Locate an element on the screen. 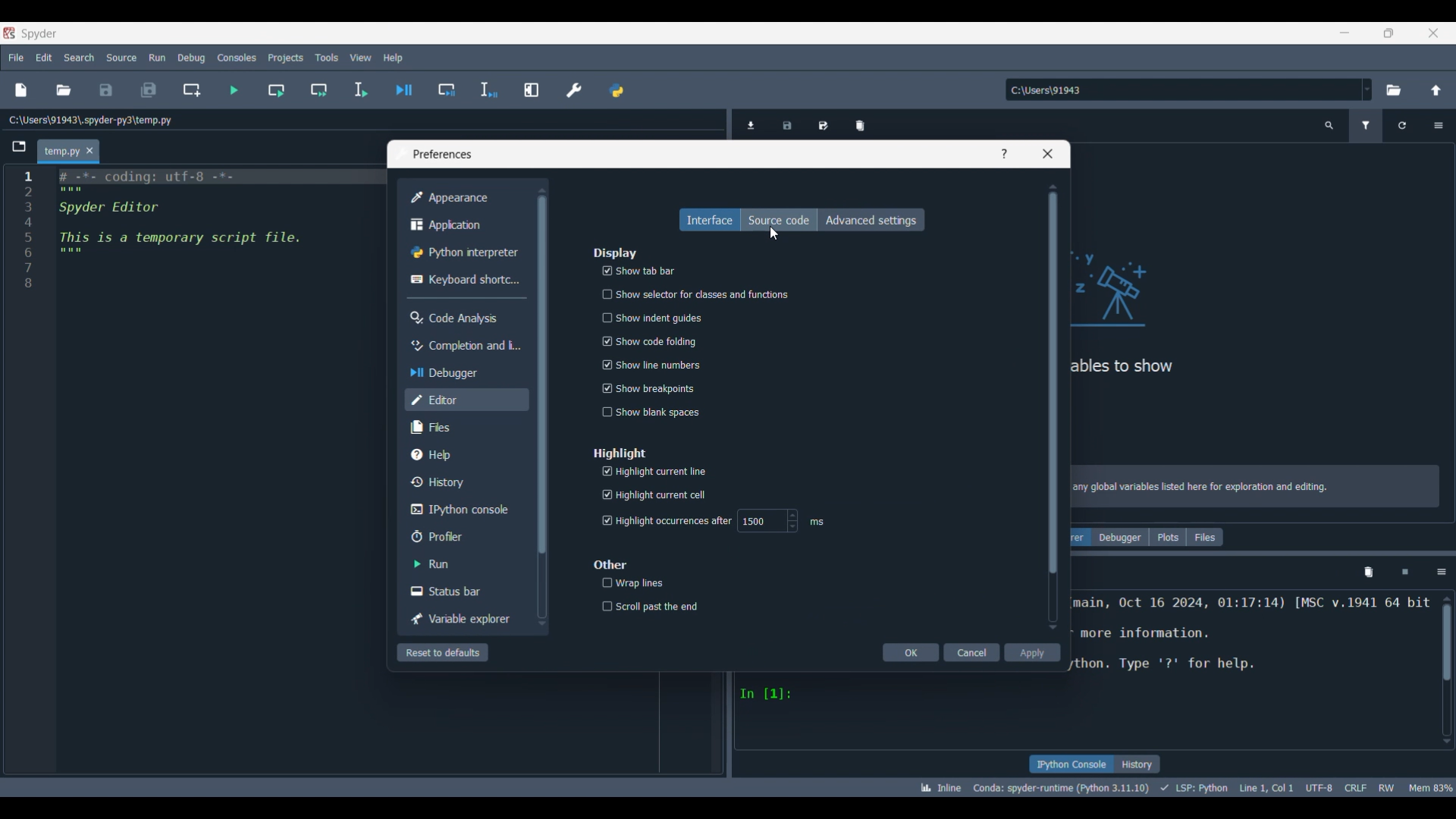 The height and width of the screenshot is (819, 1456). Debugger is located at coordinates (1120, 537).